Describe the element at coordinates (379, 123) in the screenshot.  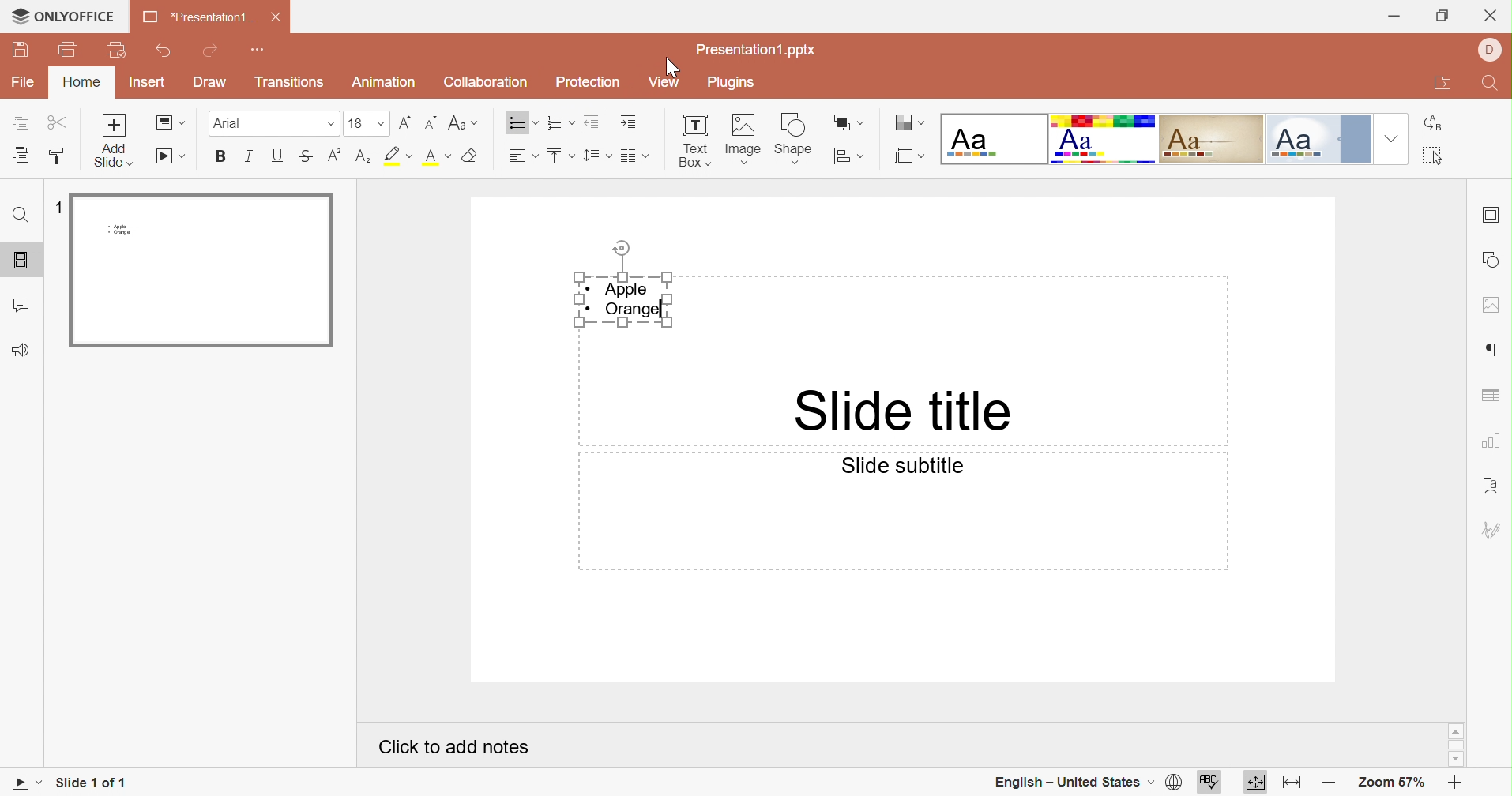
I see `Drop Down` at that location.